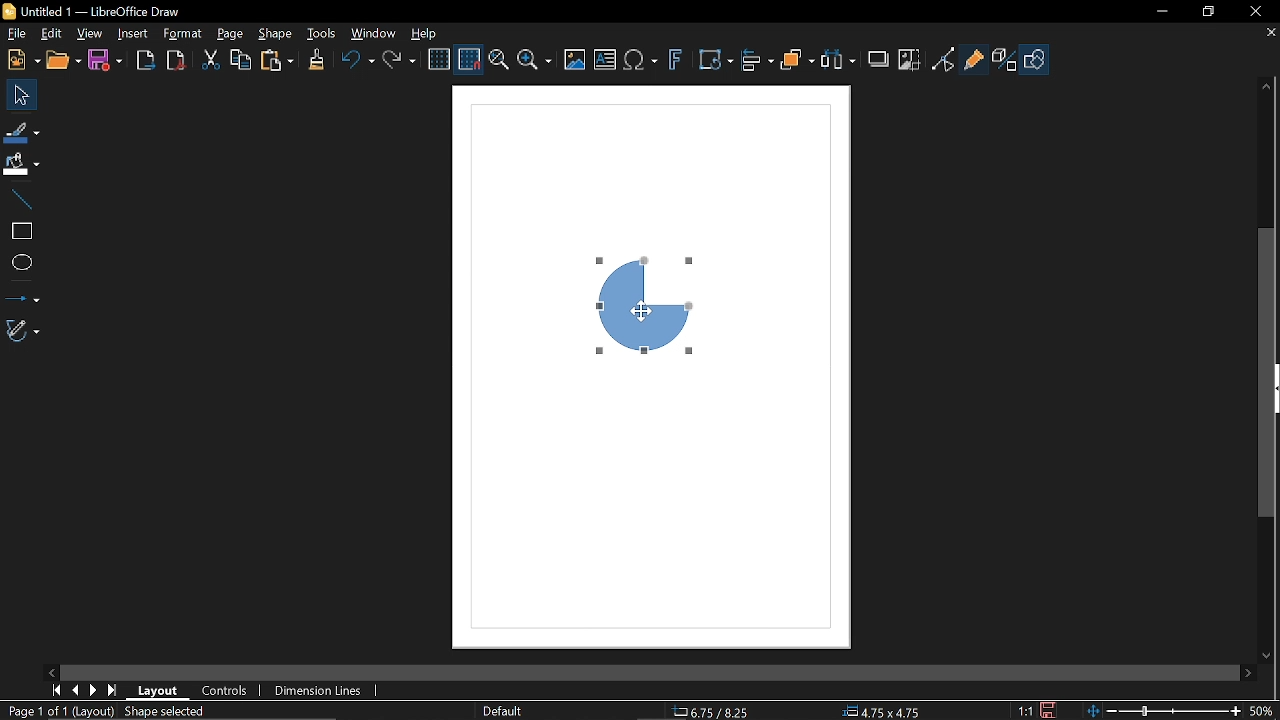  What do you see at coordinates (908, 59) in the screenshot?
I see `Crop` at bounding box center [908, 59].